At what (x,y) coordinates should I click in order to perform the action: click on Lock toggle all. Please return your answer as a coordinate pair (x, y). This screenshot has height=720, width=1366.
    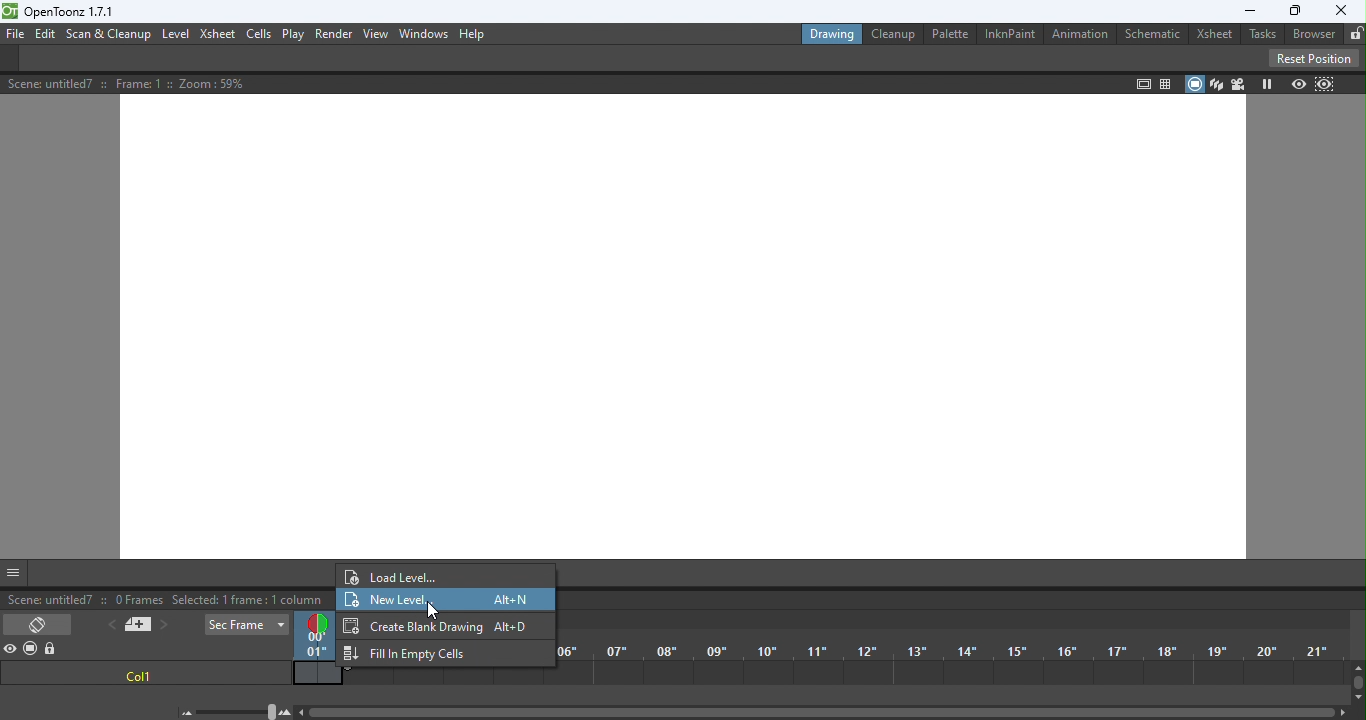
    Looking at the image, I should click on (54, 650).